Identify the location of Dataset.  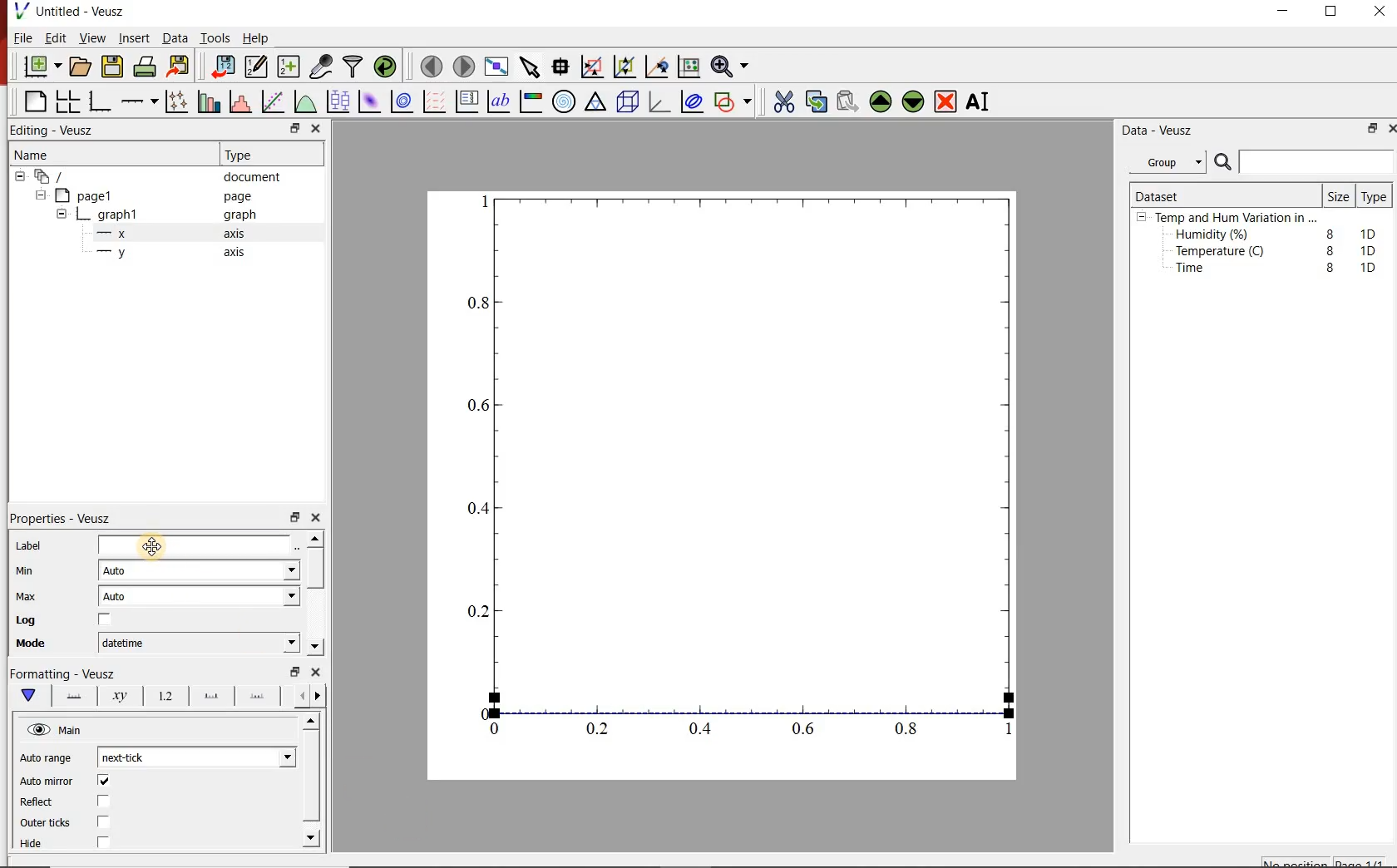
(1164, 194).